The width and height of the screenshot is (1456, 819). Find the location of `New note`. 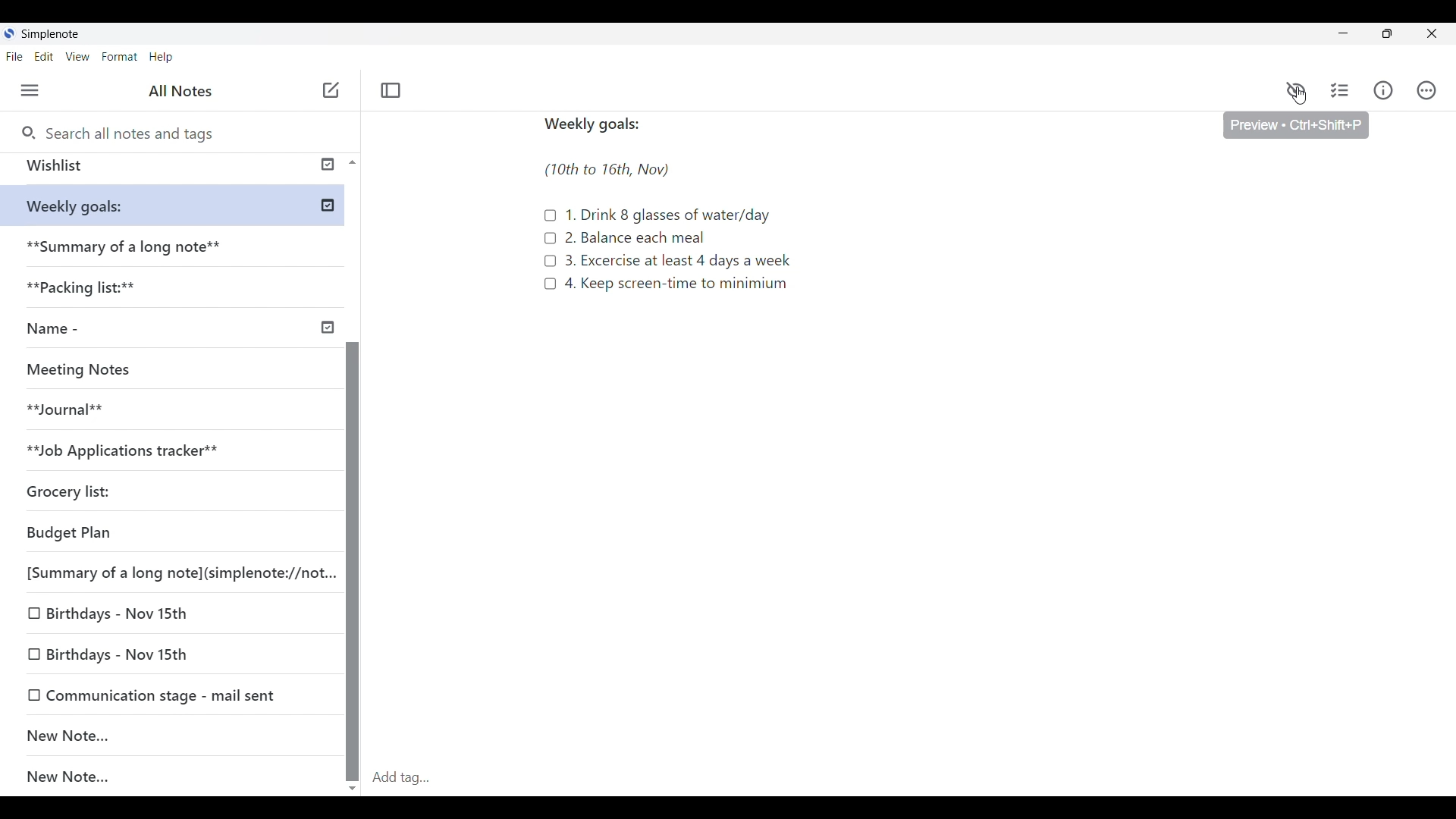

New note is located at coordinates (331, 89).